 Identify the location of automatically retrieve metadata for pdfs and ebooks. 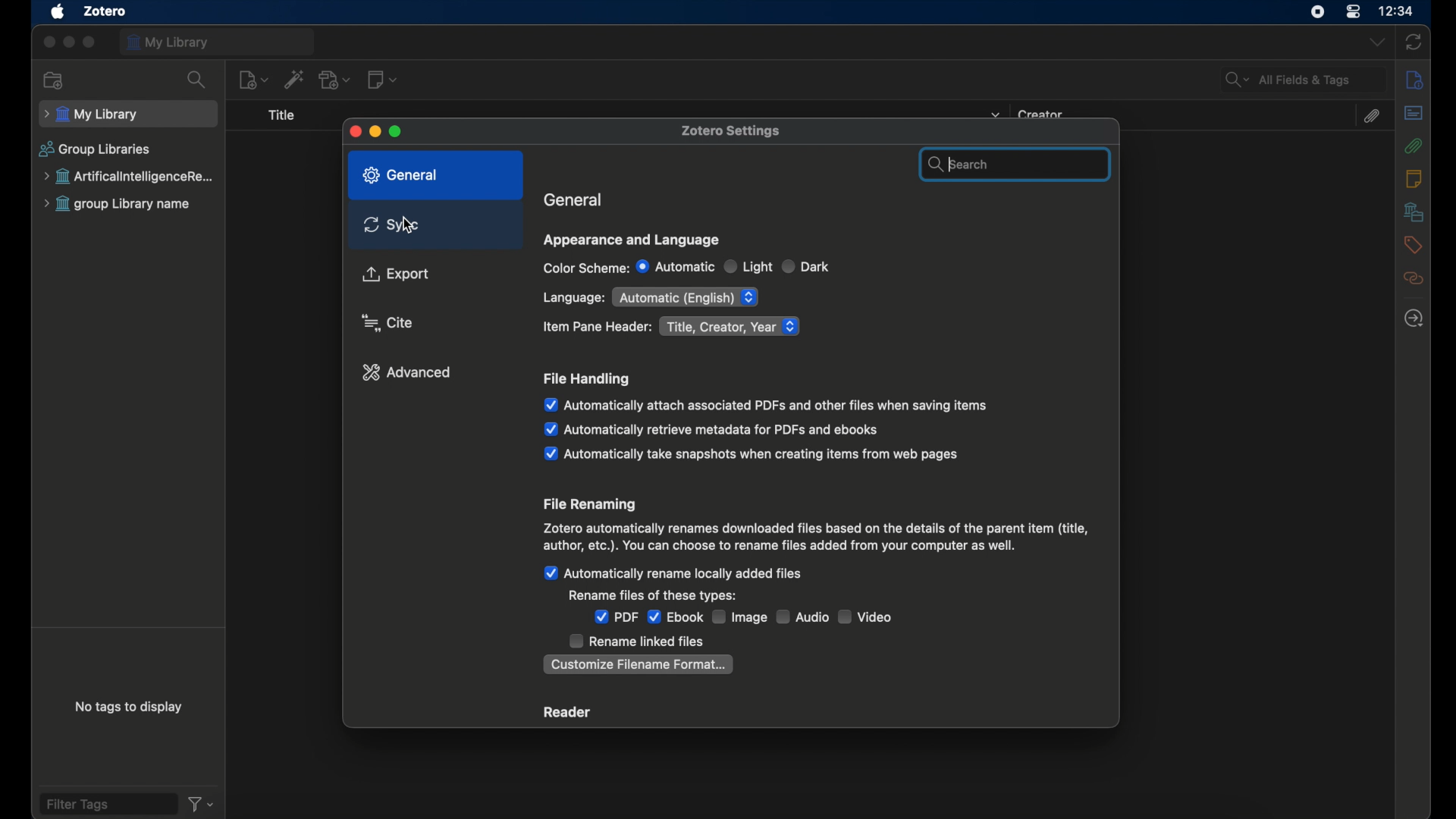
(711, 429).